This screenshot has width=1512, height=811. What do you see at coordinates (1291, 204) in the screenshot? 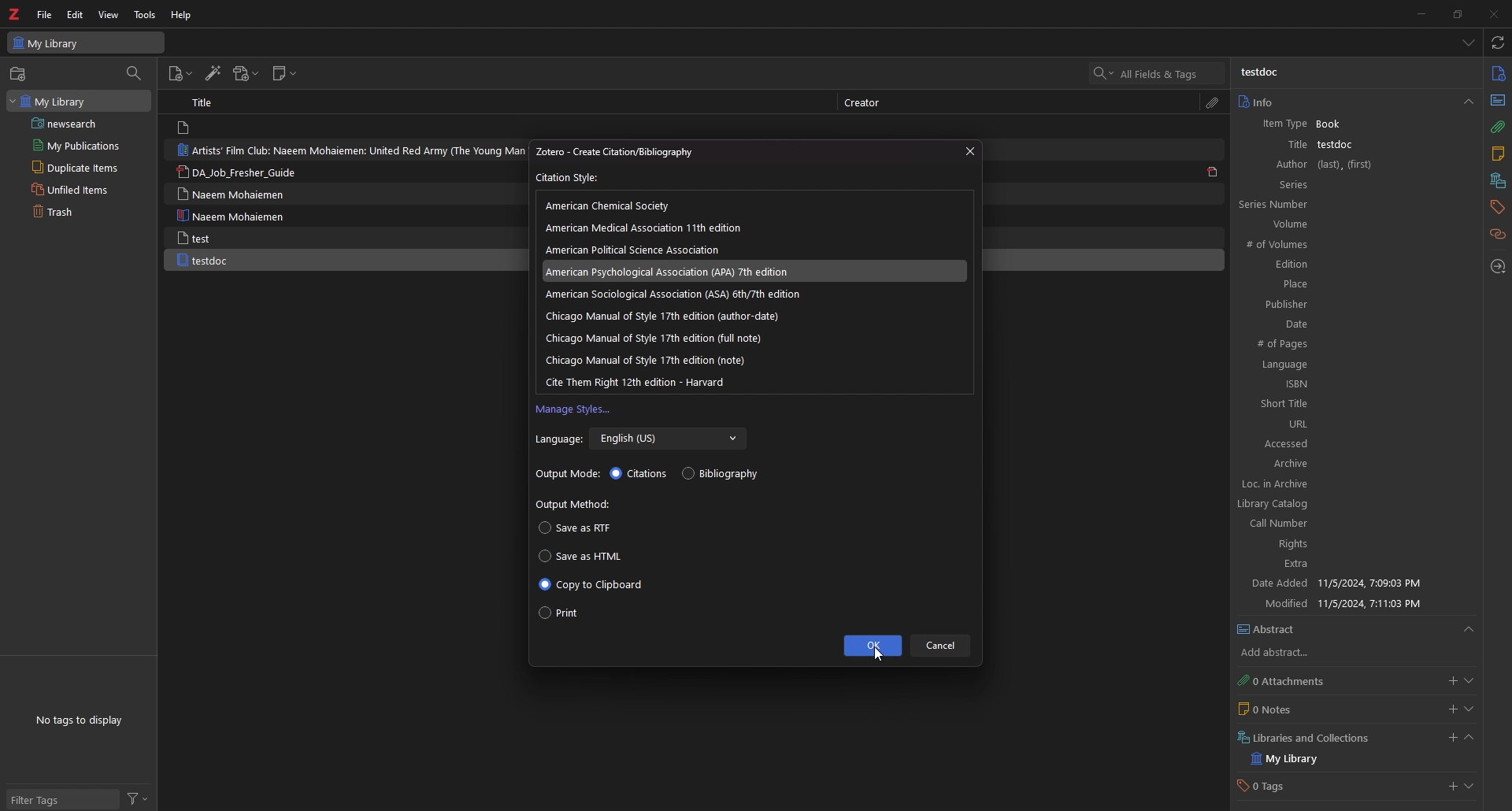
I see `series number` at bounding box center [1291, 204].